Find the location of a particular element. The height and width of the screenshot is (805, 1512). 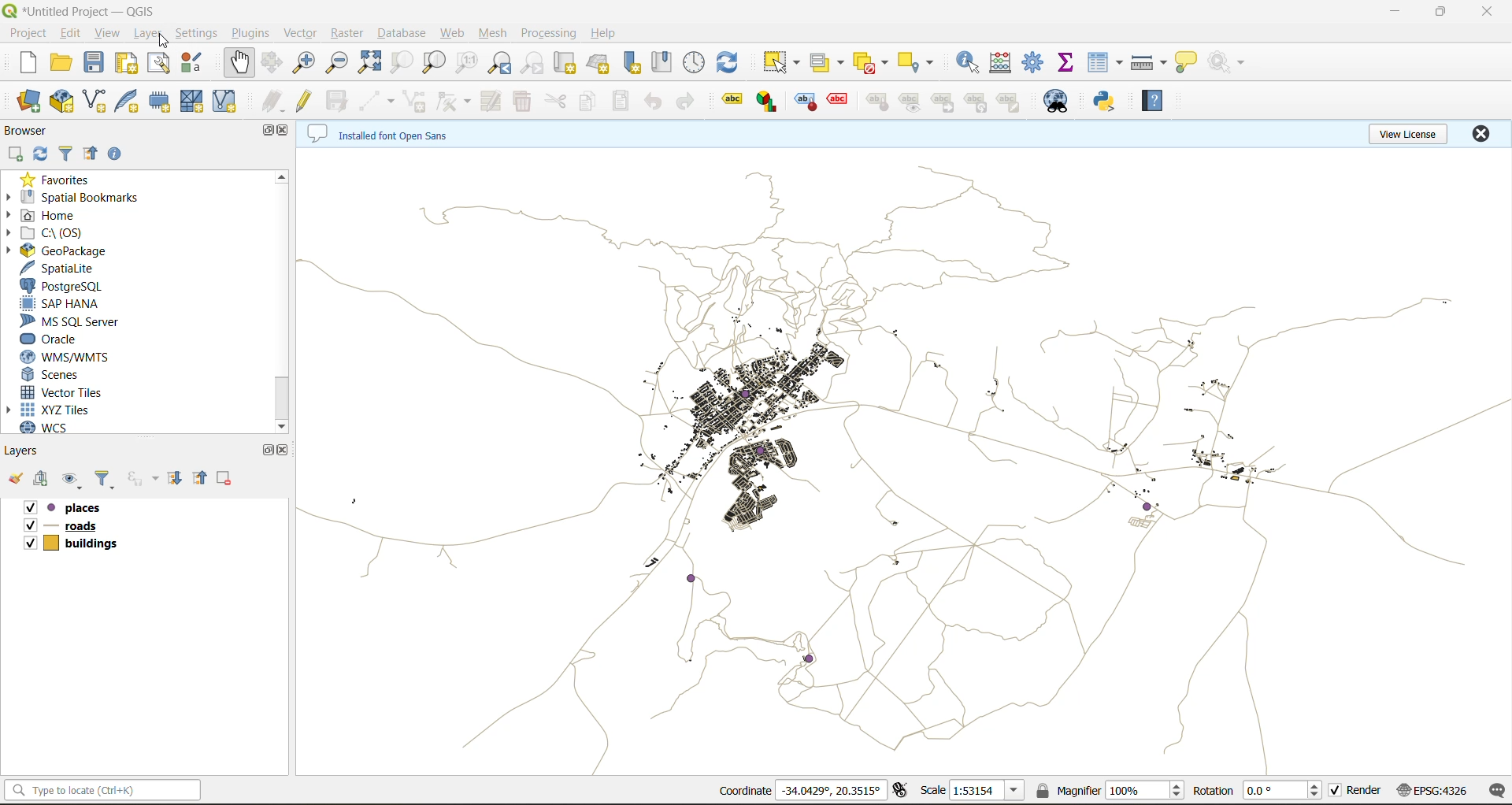

xyz tiles is located at coordinates (64, 410).